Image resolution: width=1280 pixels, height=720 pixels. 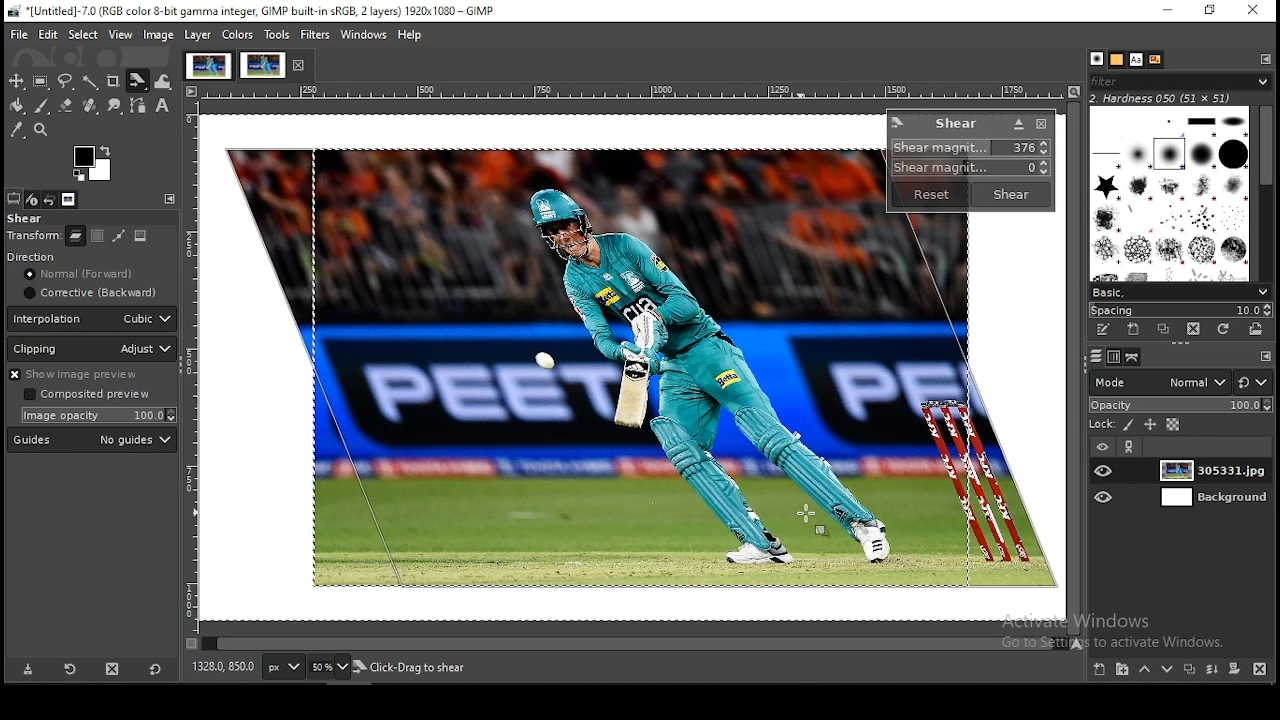 I want to click on save tool preset, so click(x=26, y=670).